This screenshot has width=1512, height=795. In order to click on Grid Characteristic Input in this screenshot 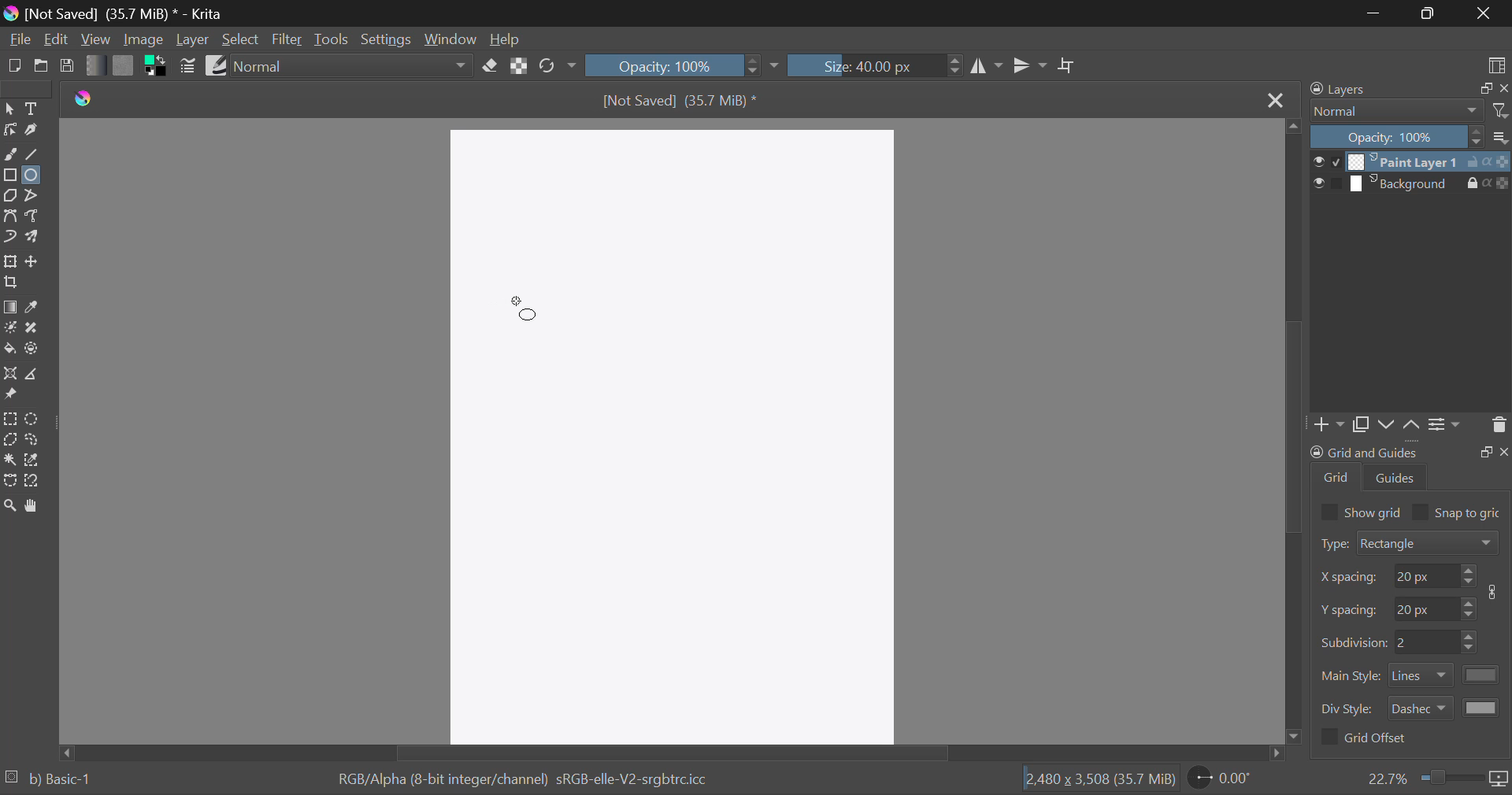, I will do `click(1413, 643)`.